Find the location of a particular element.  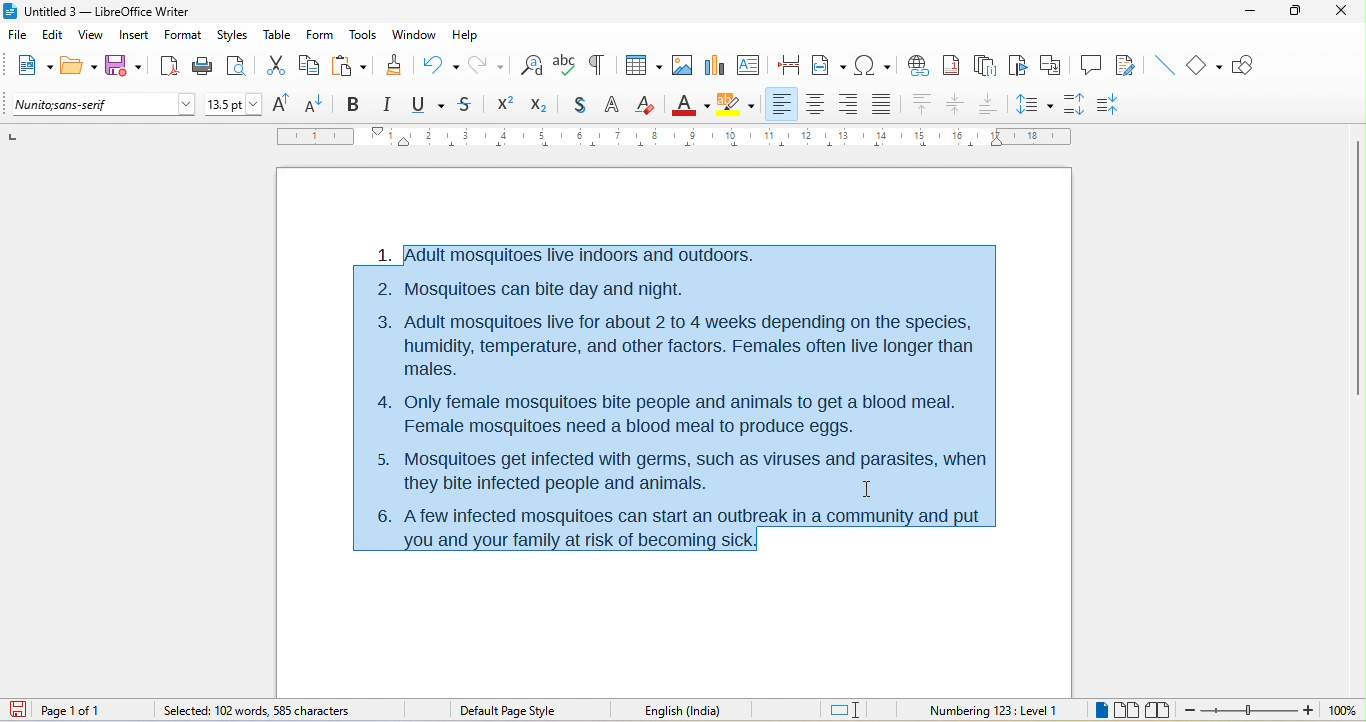

character highlighting is located at coordinates (738, 104).